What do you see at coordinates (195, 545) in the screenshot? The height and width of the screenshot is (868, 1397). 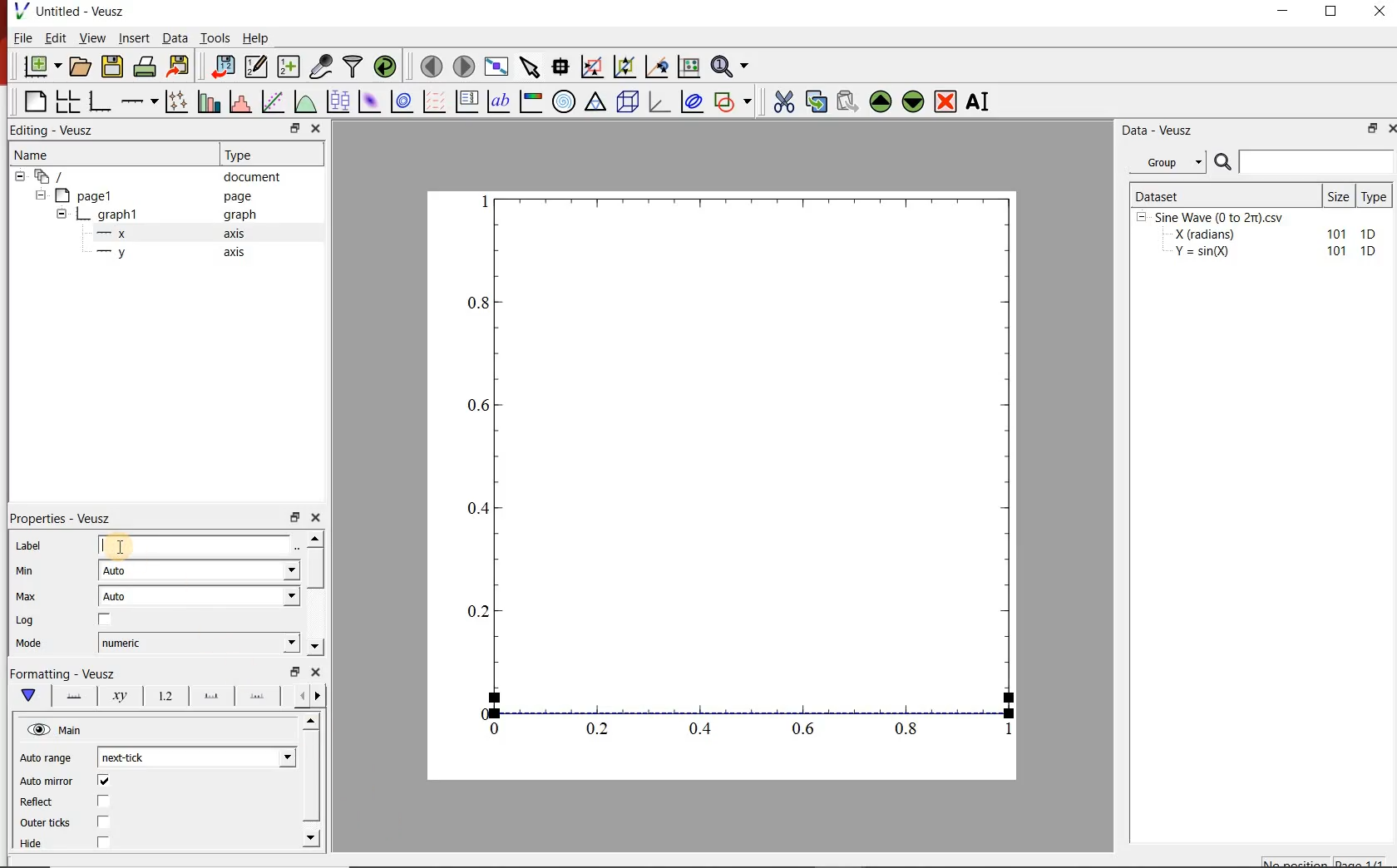 I see `Textbox` at bounding box center [195, 545].